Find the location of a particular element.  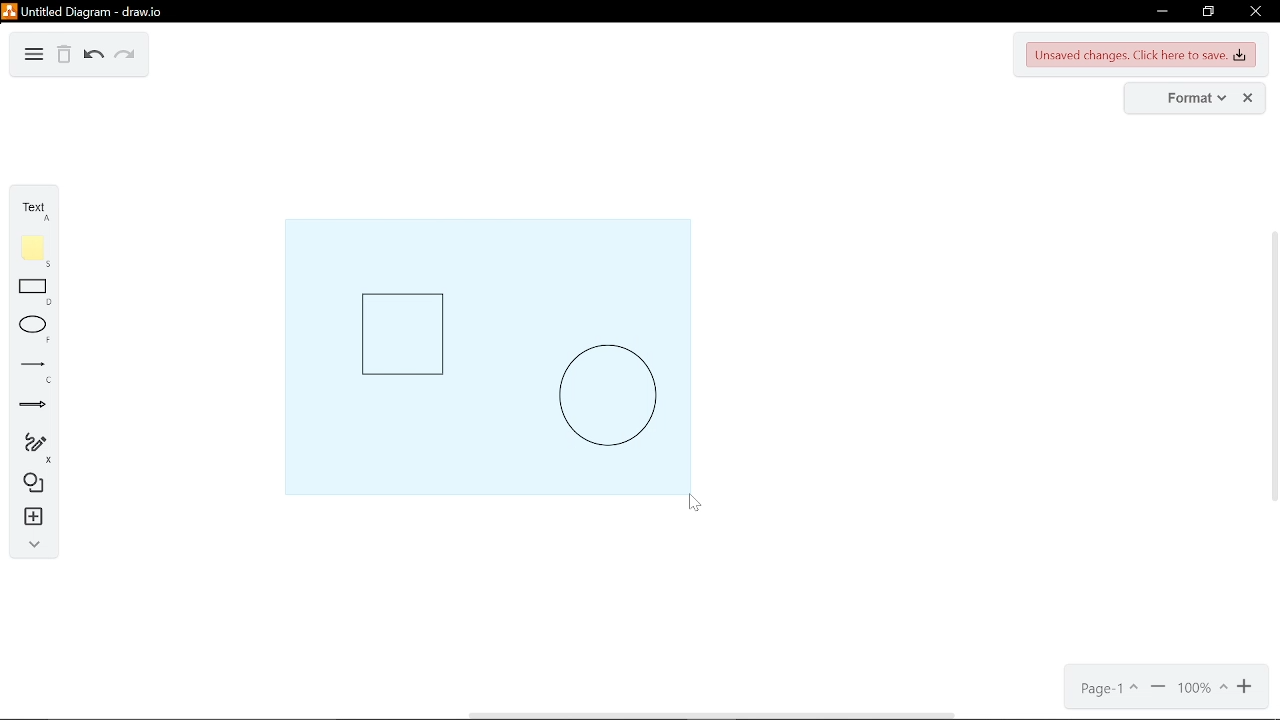

vertical scrollbar is located at coordinates (1272, 367).